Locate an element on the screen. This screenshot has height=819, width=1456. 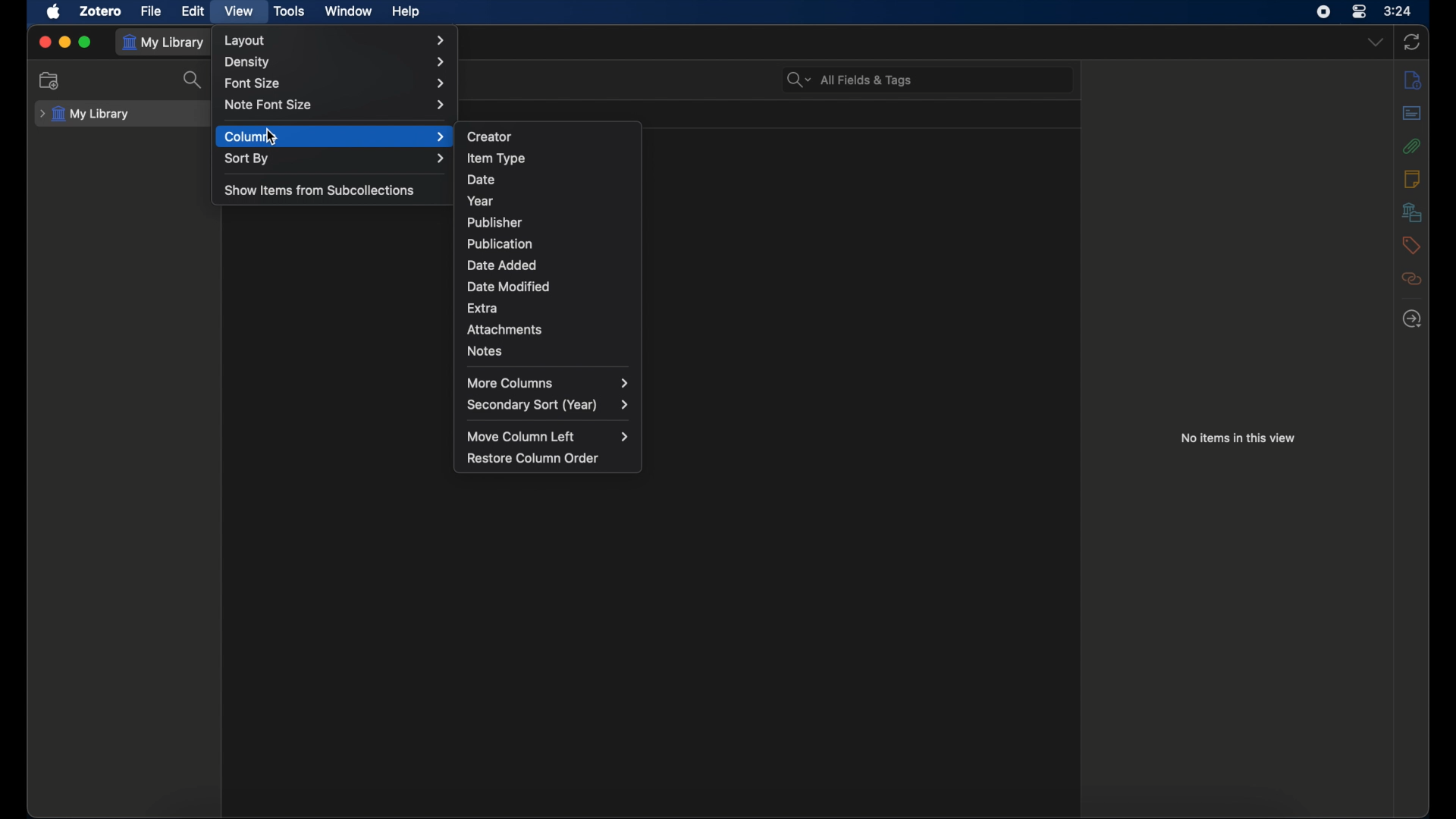
move column left is located at coordinates (547, 437).